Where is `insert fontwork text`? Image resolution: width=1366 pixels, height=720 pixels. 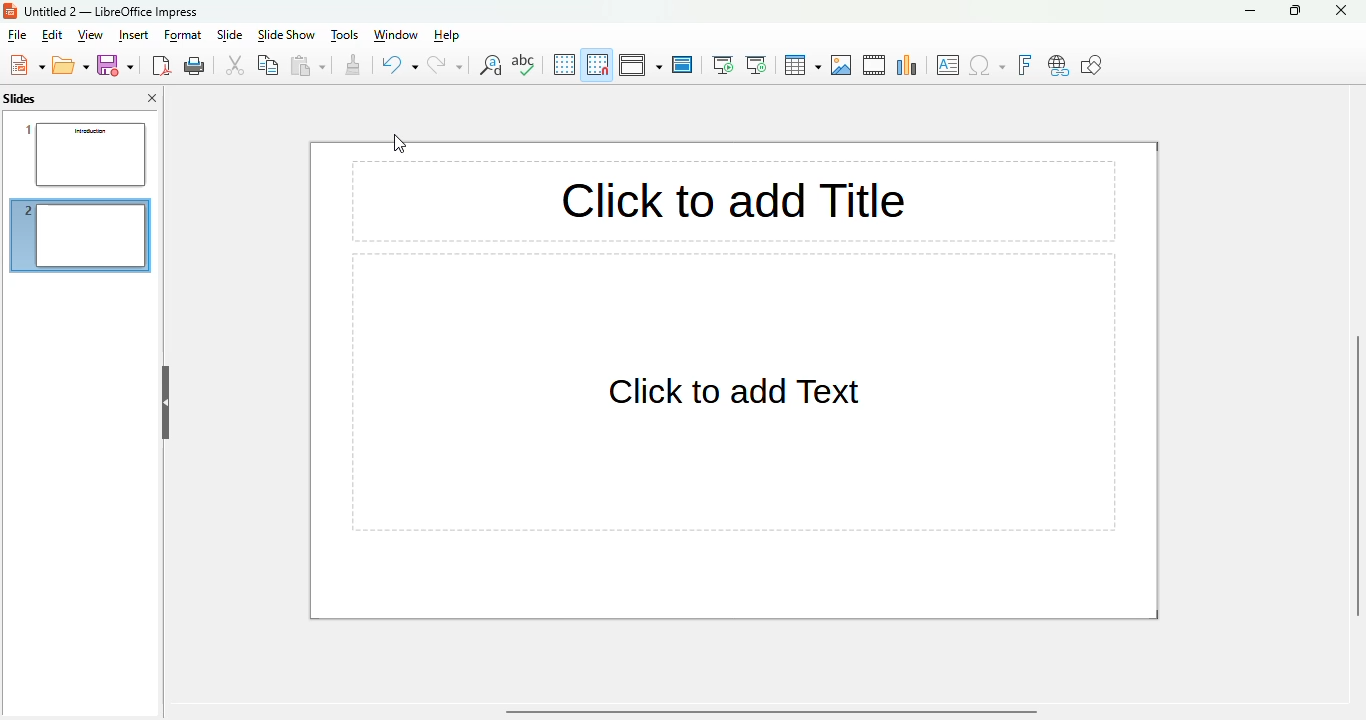 insert fontwork text is located at coordinates (1024, 65).